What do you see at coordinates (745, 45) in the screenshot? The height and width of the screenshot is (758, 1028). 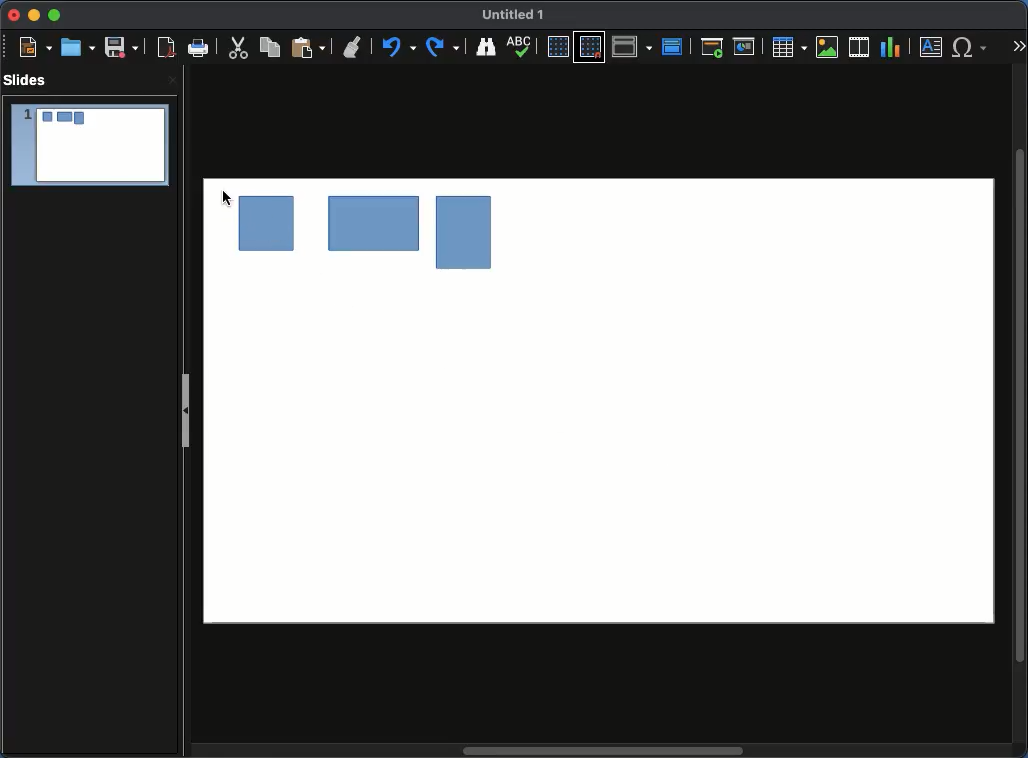 I see `Start from current slide` at bounding box center [745, 45].